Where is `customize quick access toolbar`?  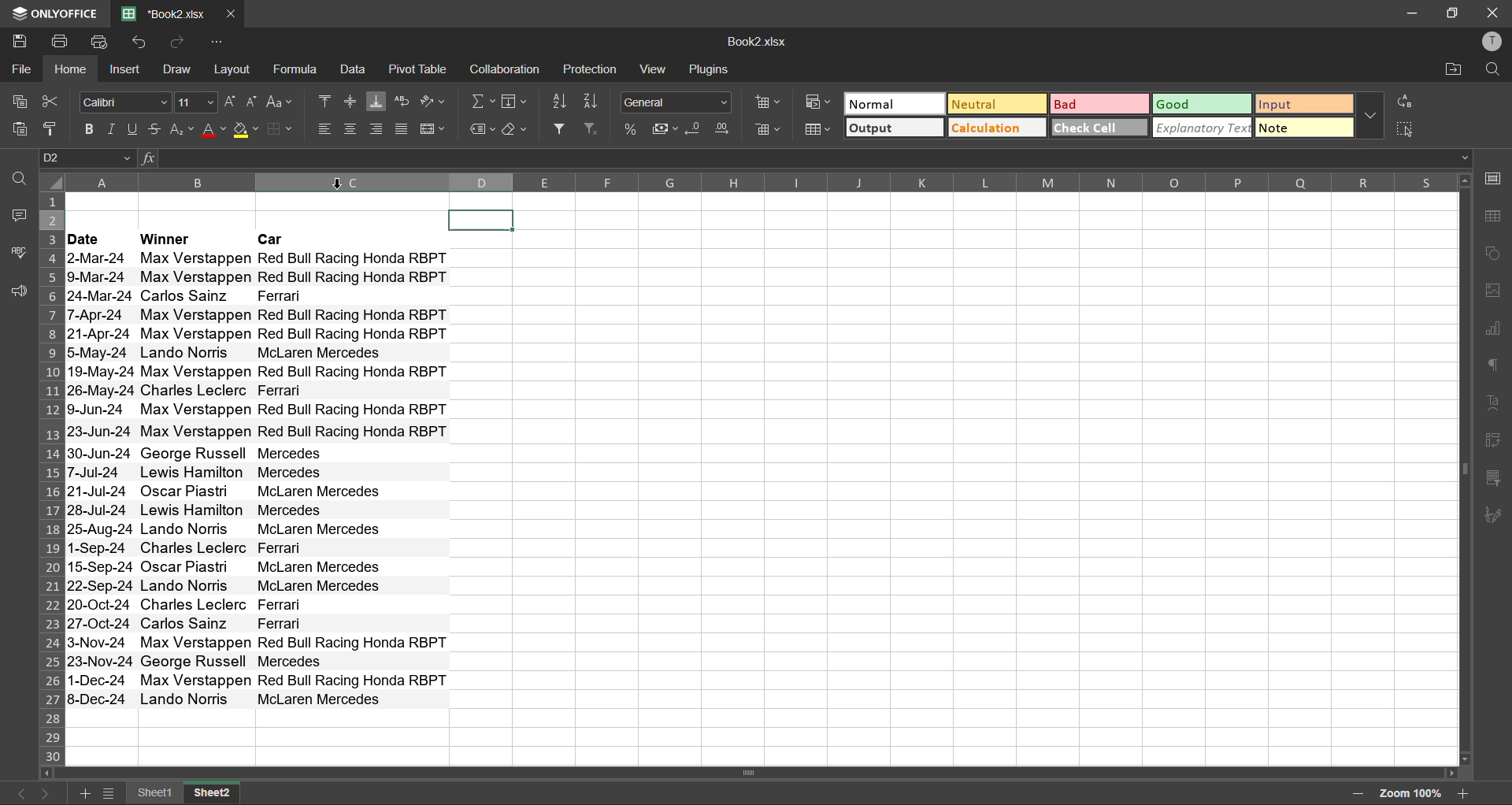
customize quick access toolbar is located at coordinates (219, 43).